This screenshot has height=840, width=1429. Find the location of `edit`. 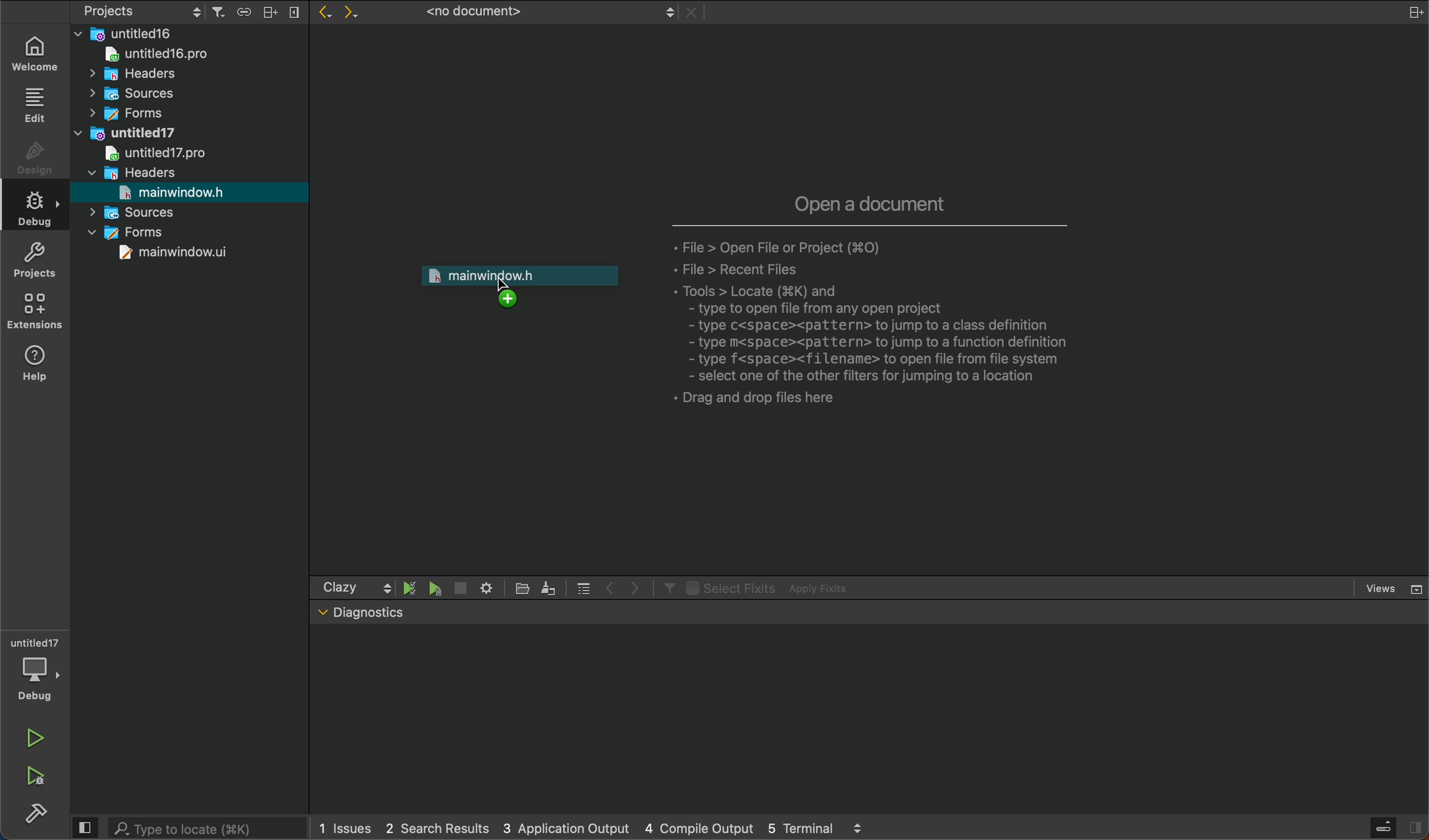

edit is located at coordinates (549, 587).